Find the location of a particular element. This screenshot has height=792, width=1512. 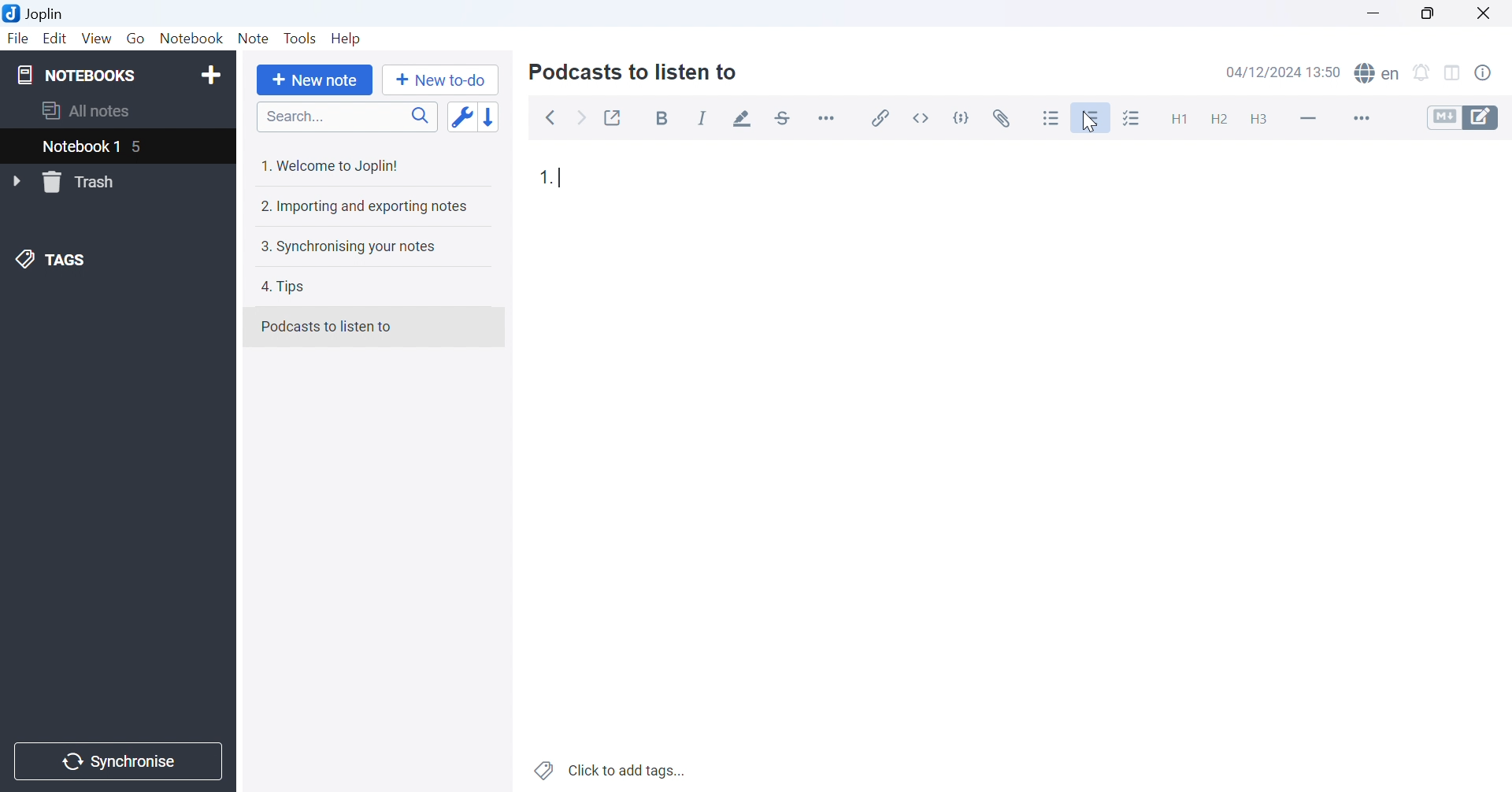

Cursor is located at coordinates (1089, 121).